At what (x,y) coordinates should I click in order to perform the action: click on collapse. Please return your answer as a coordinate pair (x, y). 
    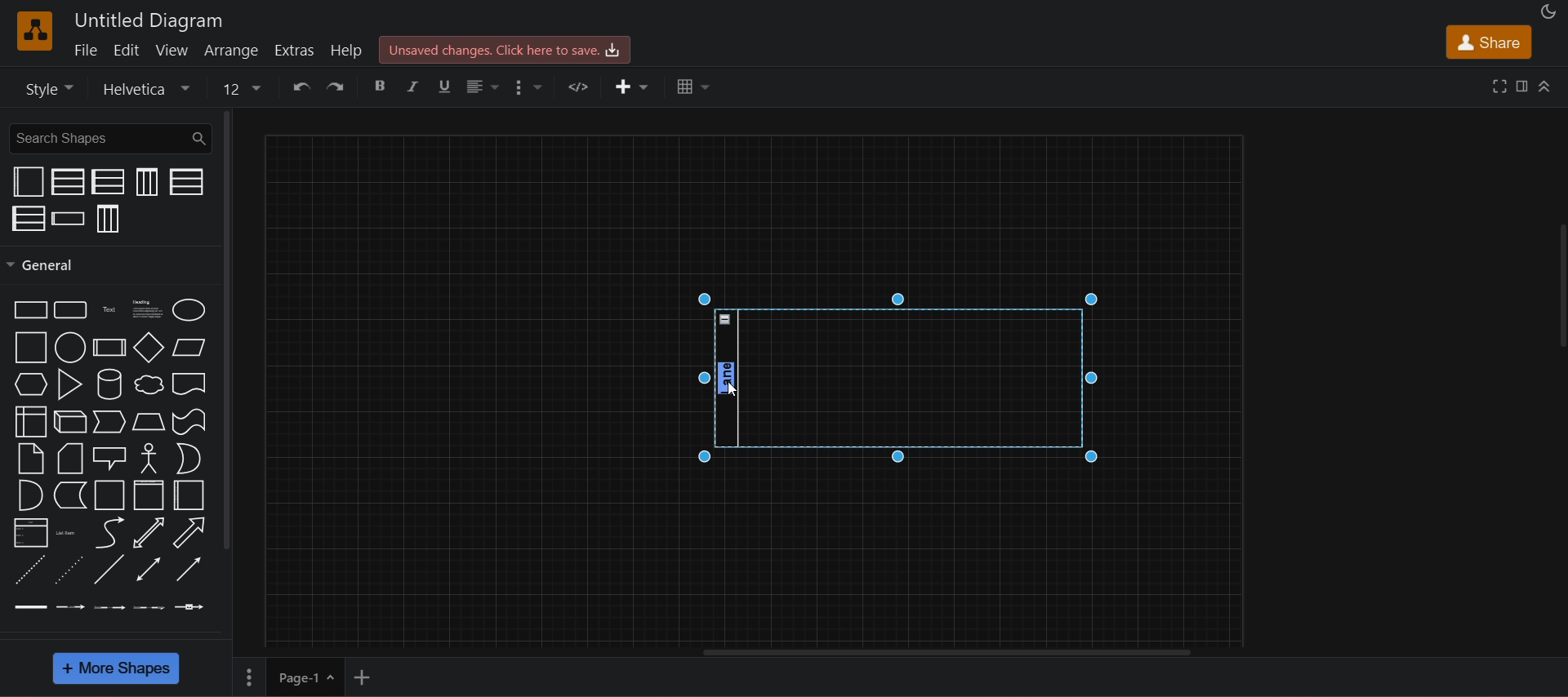
    Looking at the image, I should click on (1557, 290).